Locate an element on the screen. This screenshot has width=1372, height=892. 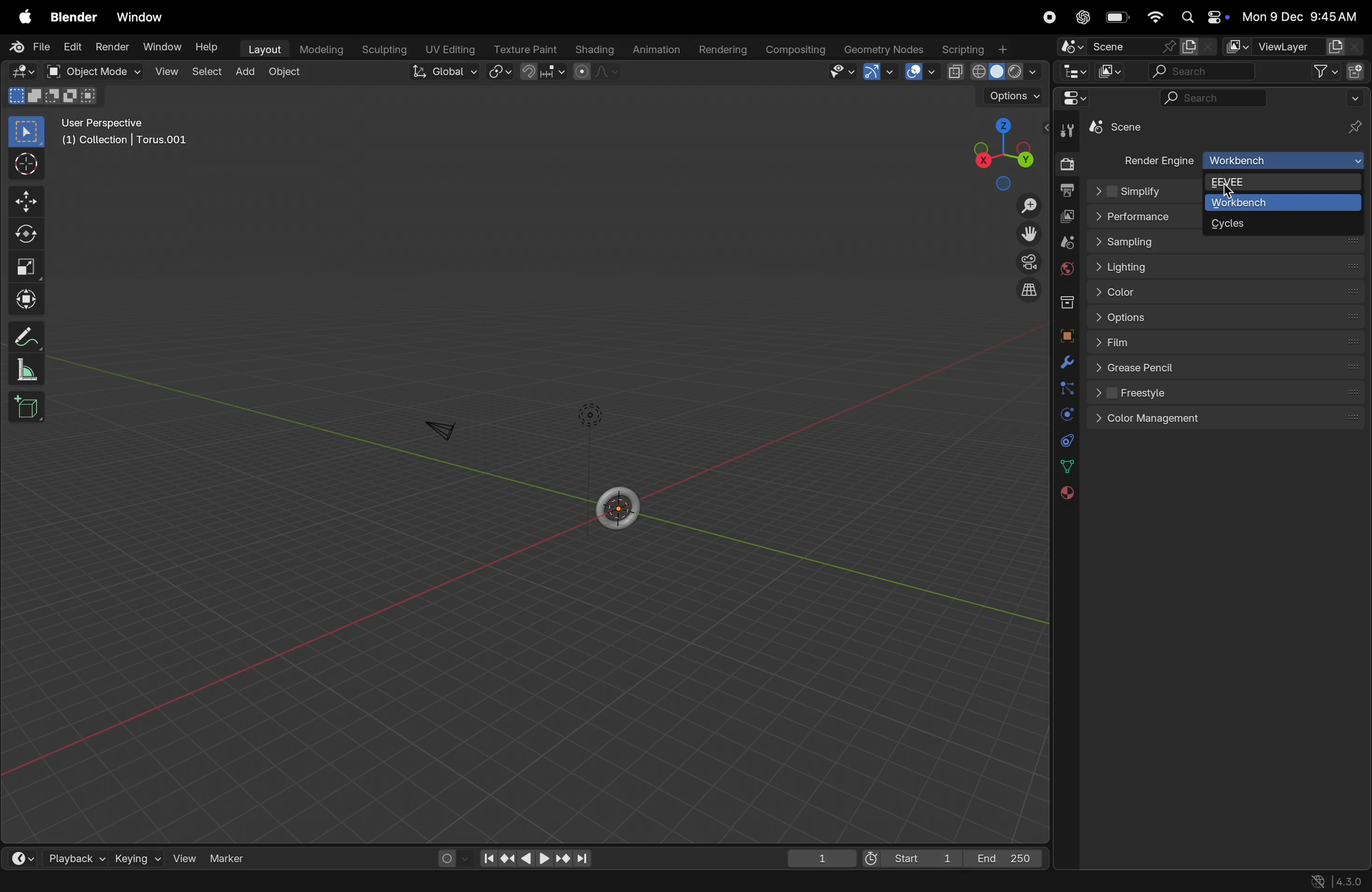
data is located at coordinates (1066, 468).